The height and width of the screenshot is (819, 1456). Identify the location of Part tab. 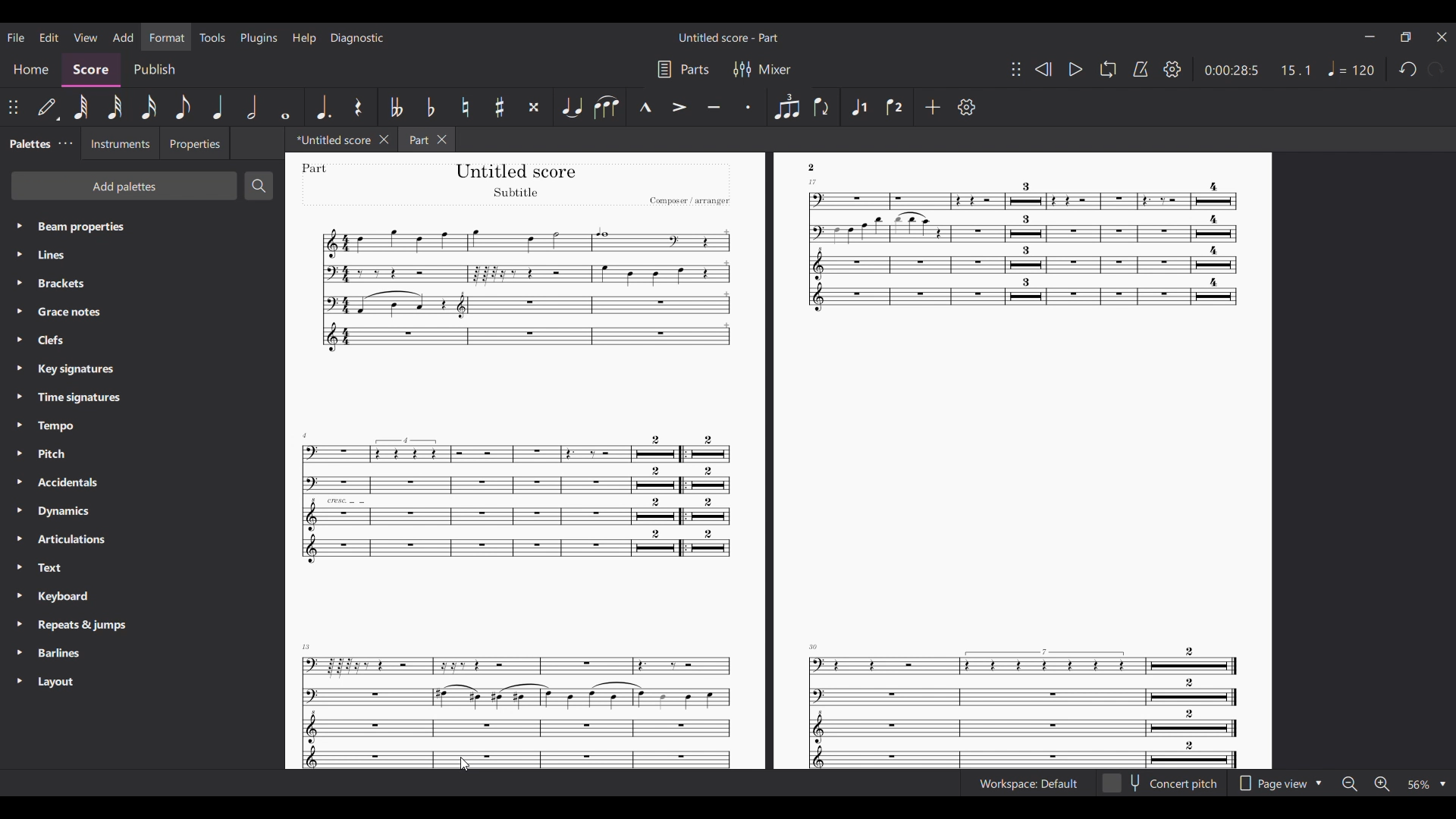
(414, 141).